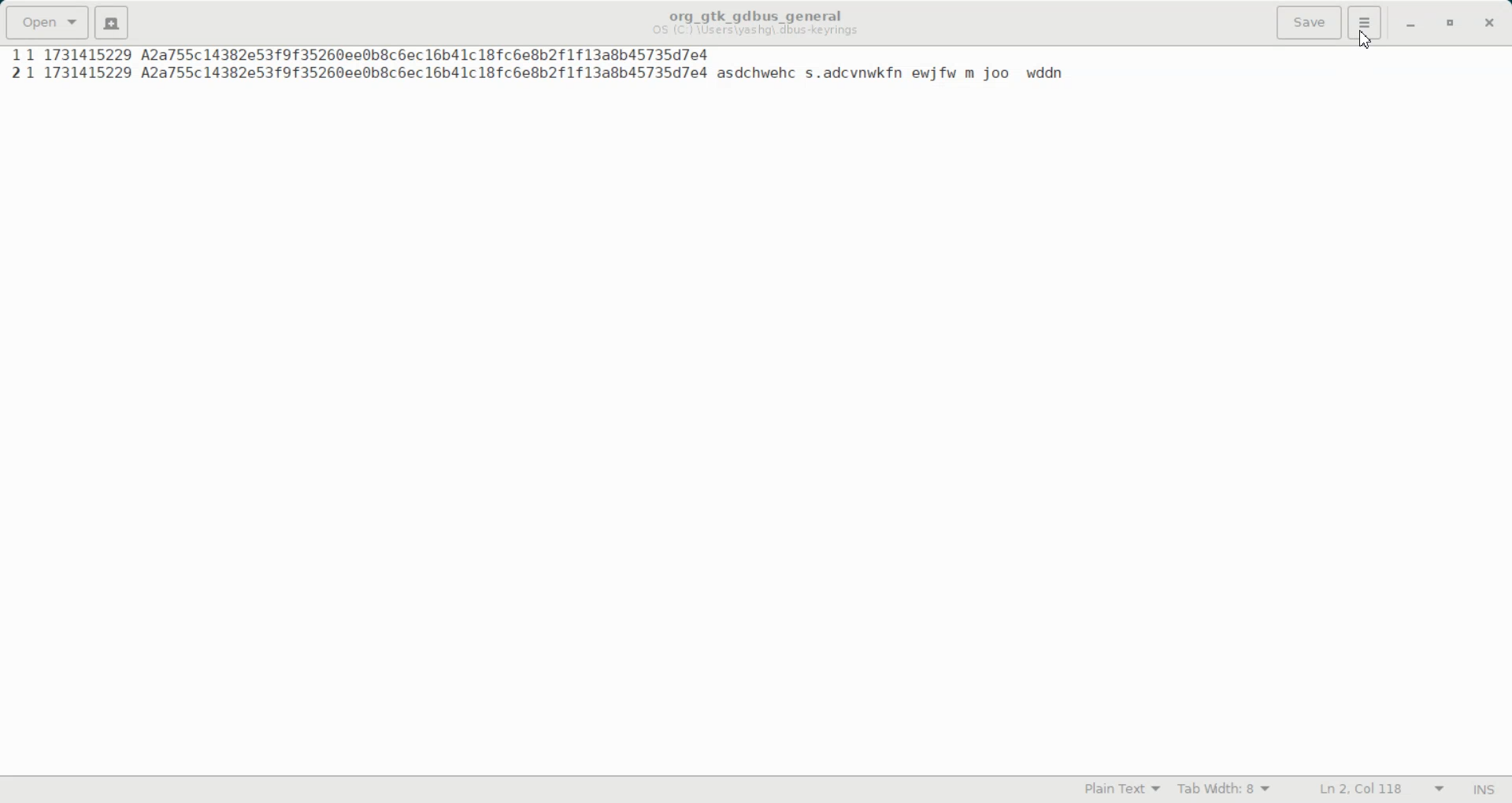 Image resolution: width=1512 pixels, height=803 pixels. Describe the element at coordinates (1223, 790) in the screenshot. I see `Tab width: 8` at that location.